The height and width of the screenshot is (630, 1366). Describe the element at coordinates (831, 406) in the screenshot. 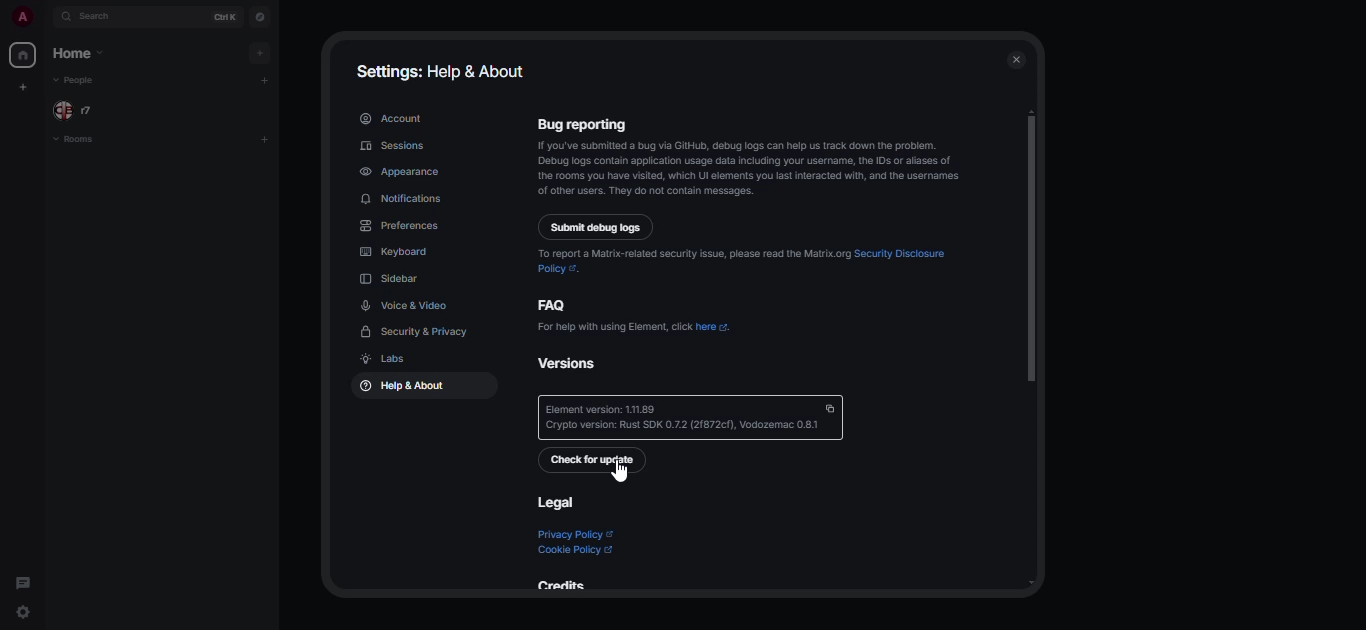

I see `copy` at that location.